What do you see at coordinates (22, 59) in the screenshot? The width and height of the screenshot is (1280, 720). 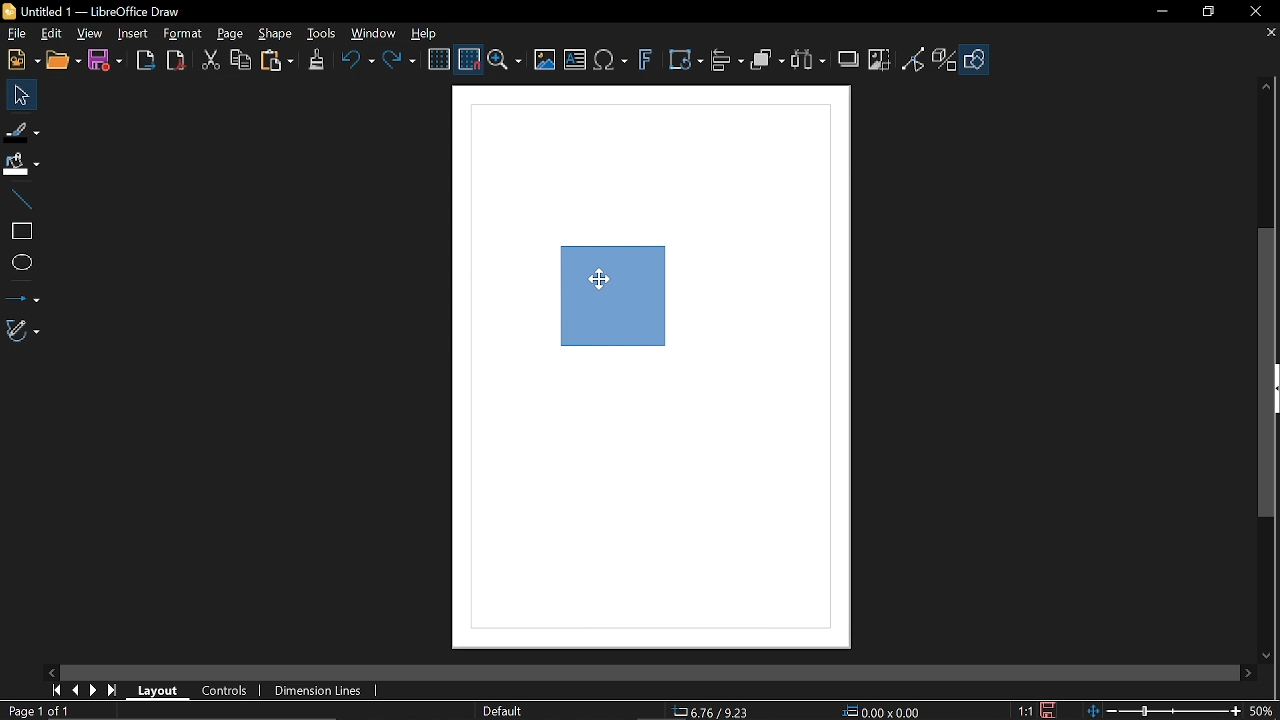 I see `New` at bounding box center [22, 59].